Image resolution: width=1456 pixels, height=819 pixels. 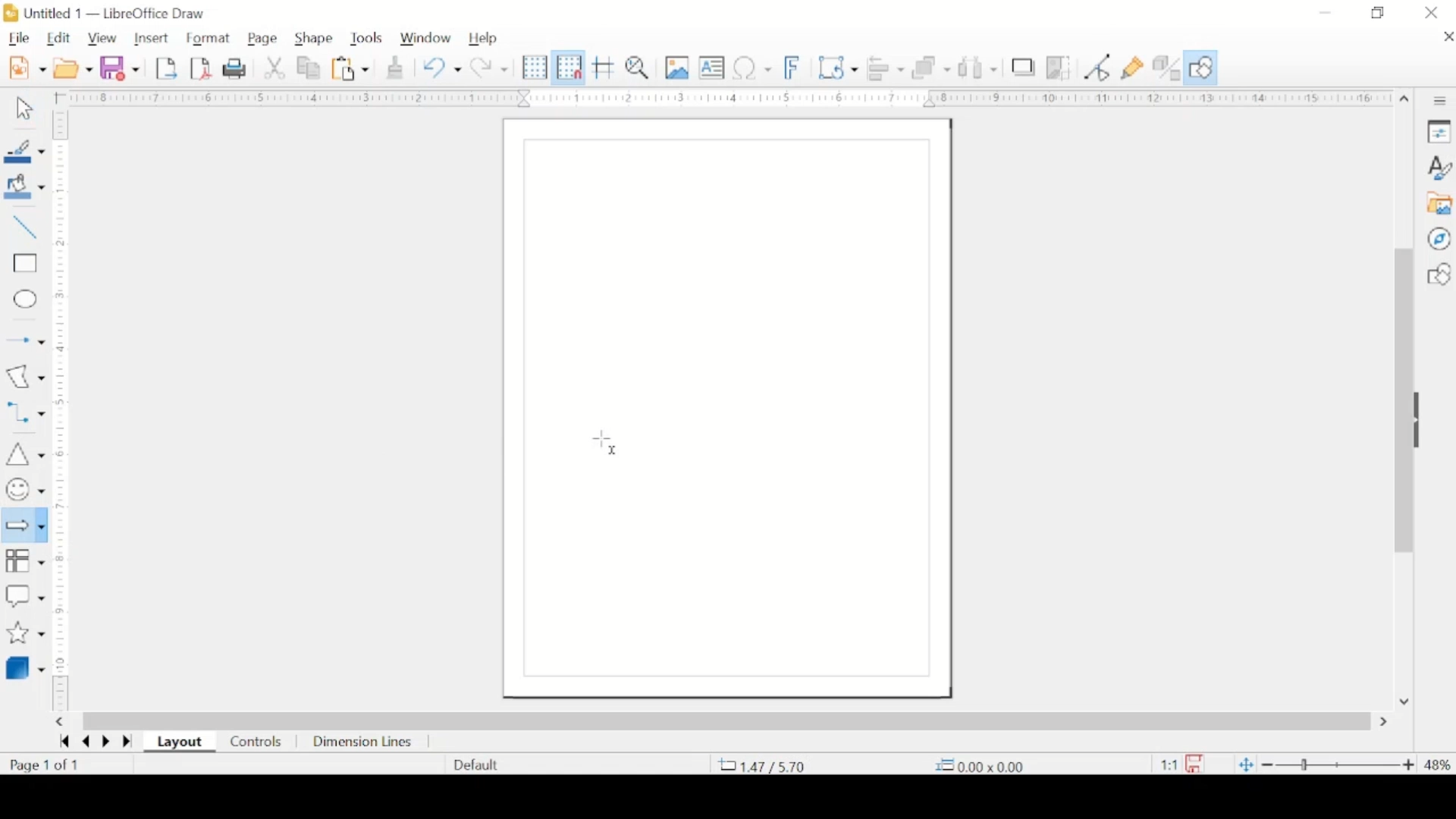 I want to click on cursor, so click(x=605, y=440).